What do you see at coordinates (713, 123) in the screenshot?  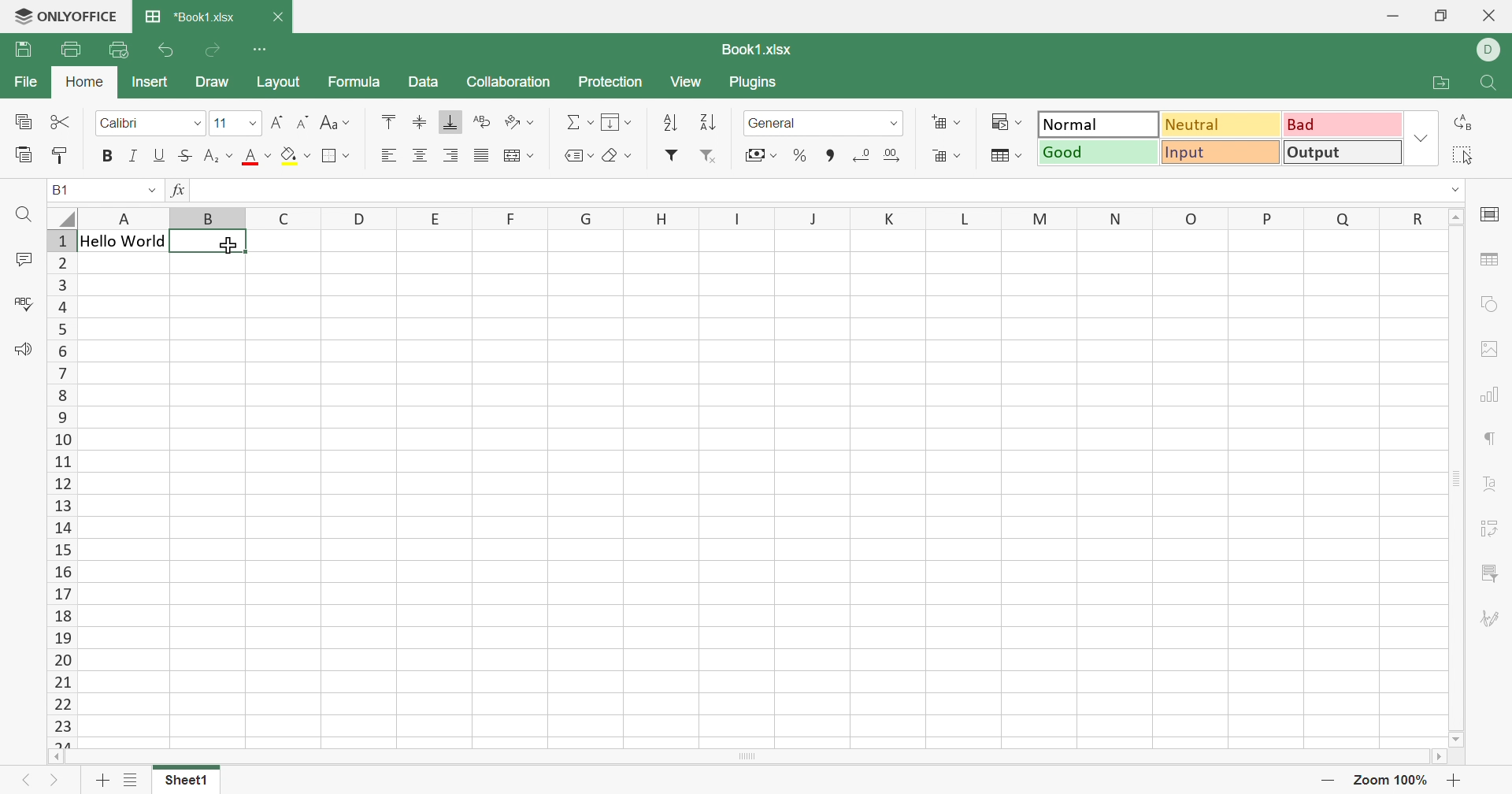 I see `Sort descending` at bounding box center [713, 123].